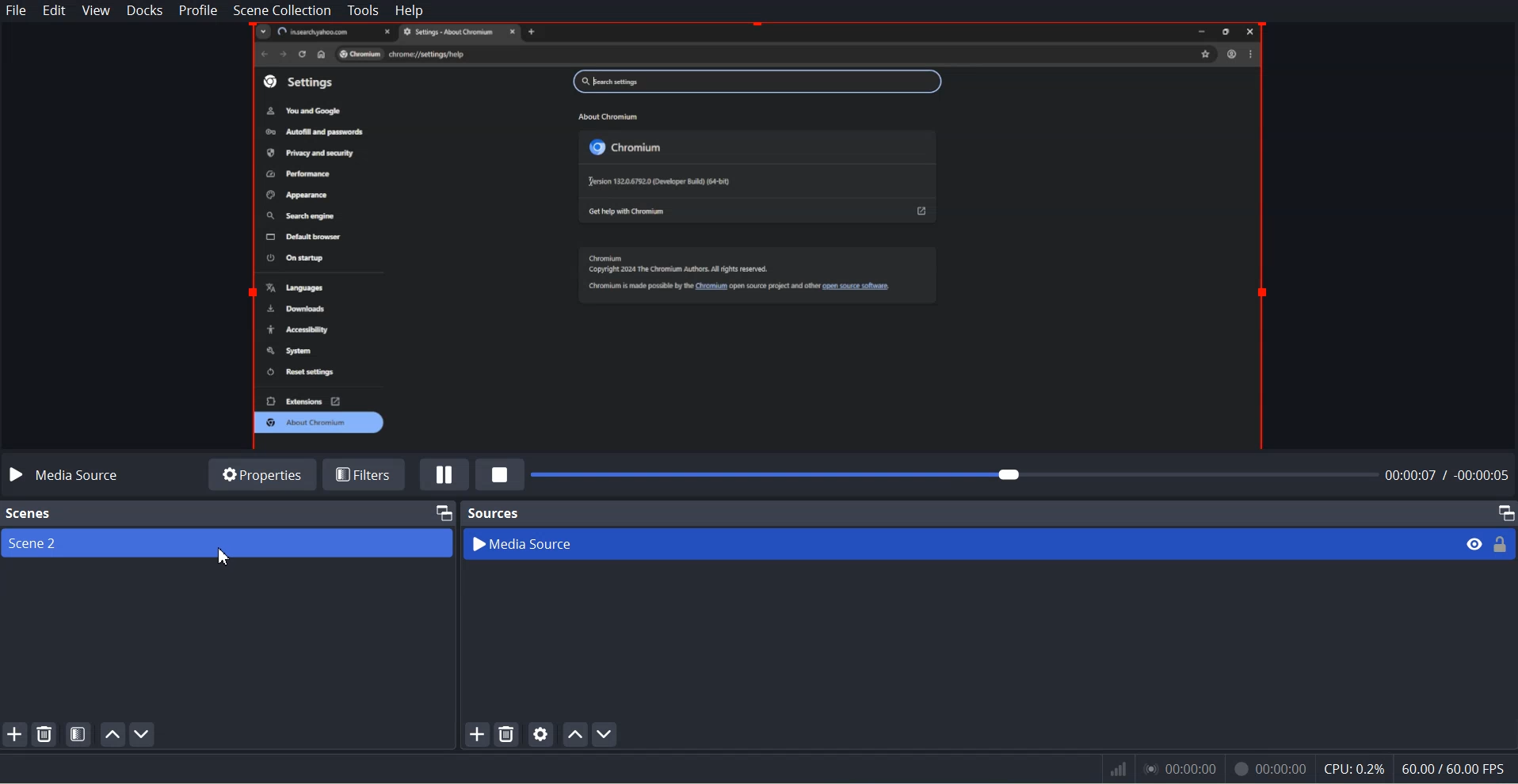 Image resolution: width=1518 pixels, height=784 pixels. Describe the element at coordinates (143, 735) in the screenshot. I see `Move Scene down` at that location.